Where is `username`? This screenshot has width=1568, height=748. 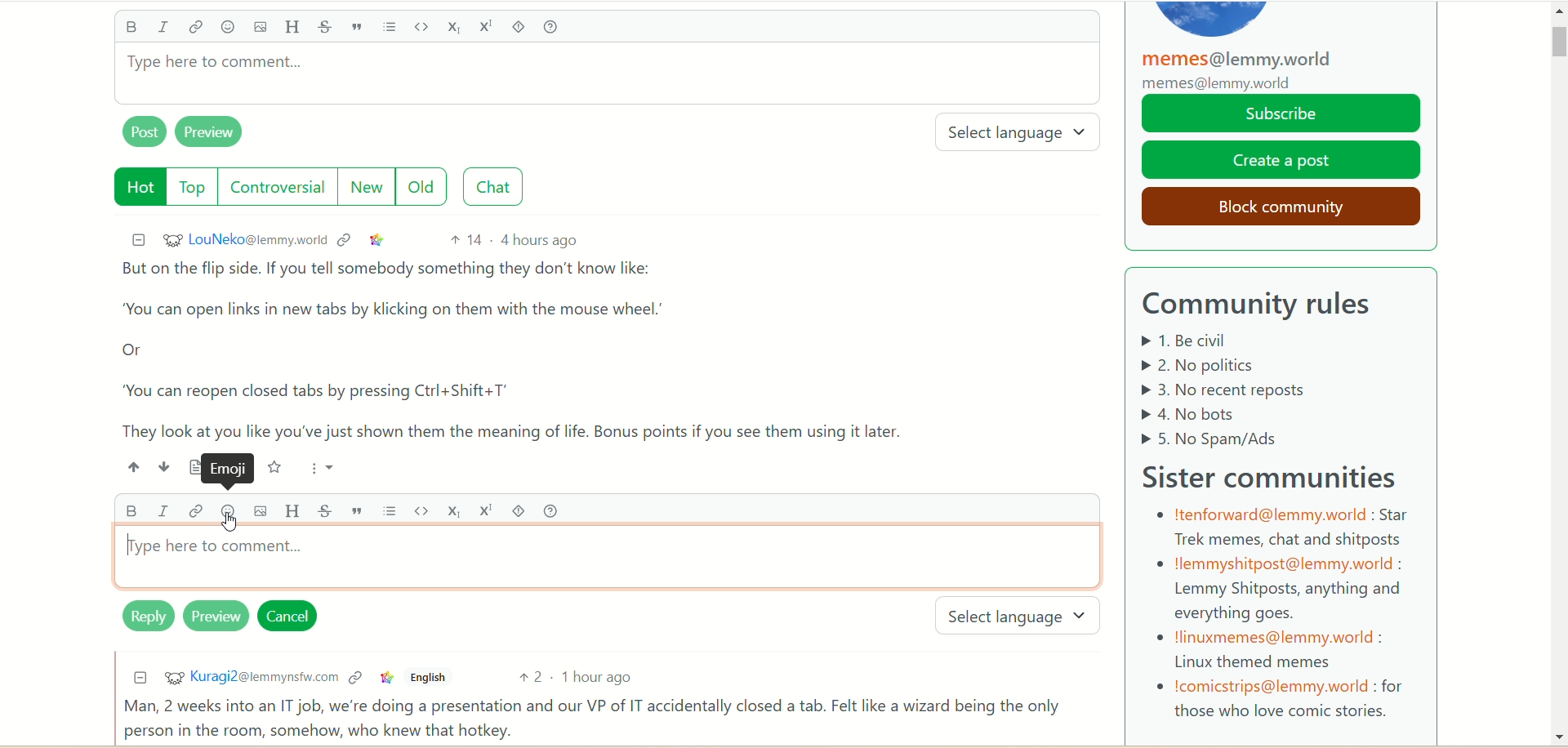 username is located at coordinates (243, 240).